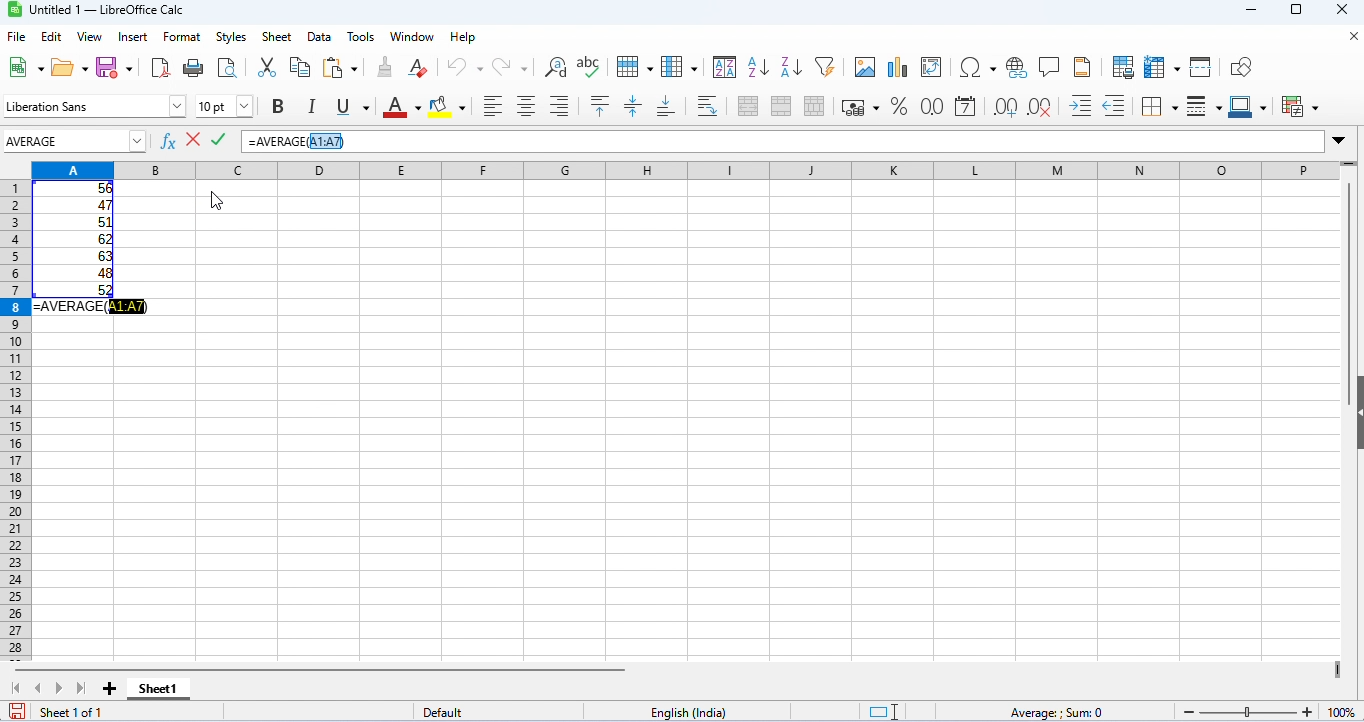 This screenshot has width=1364, height=722. What do you see at coordinates (898, 106) in the screenshot?
I see `format as percent` at bounding box center [898, 106].